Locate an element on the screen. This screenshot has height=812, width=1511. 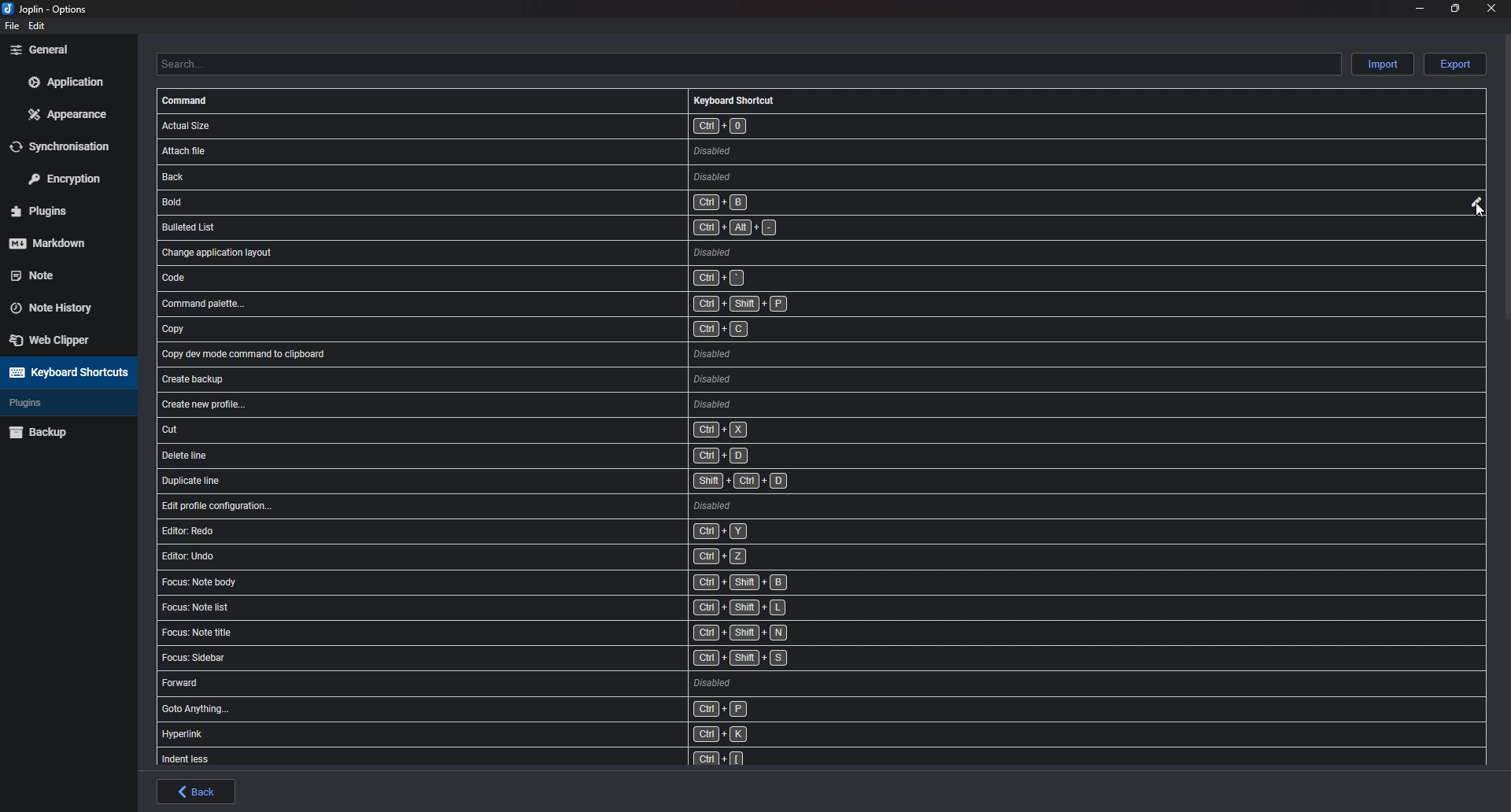
edit is located at coordinates (1474, 202).